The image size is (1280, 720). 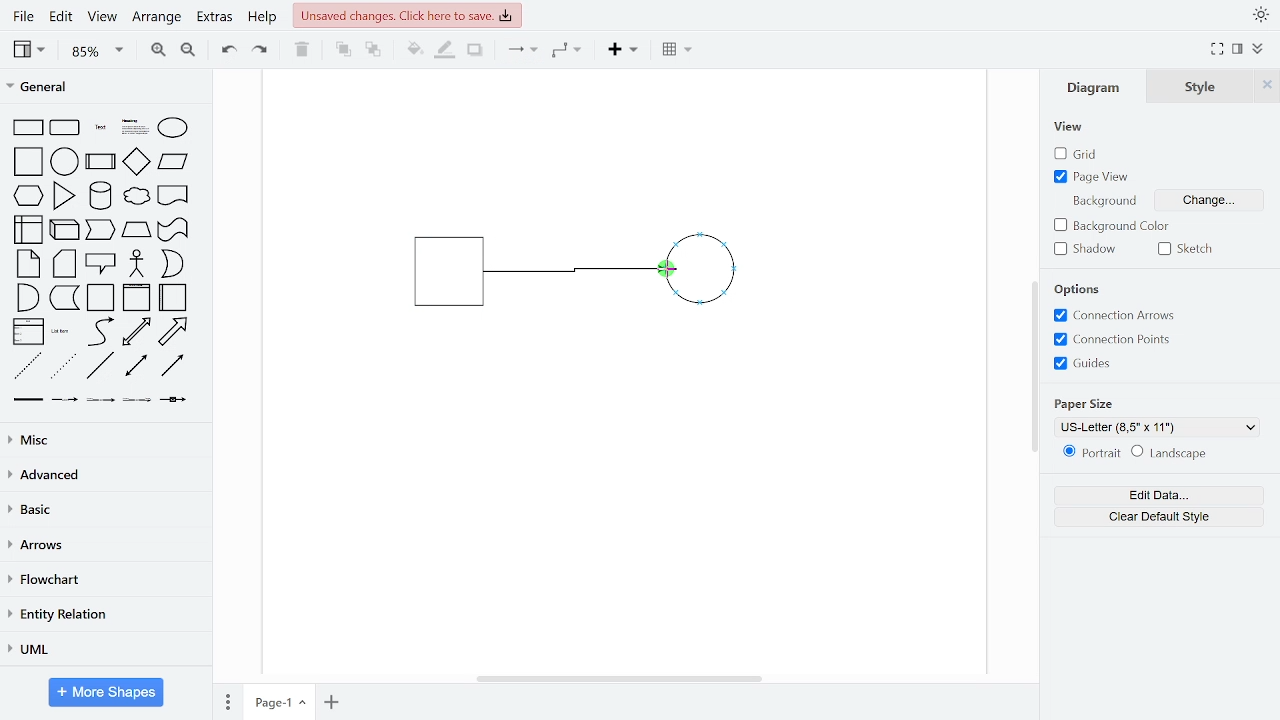 What do you see at coordinates (302, 49) in the screenshot?
I see `delete` at bounding box center [302, 49].